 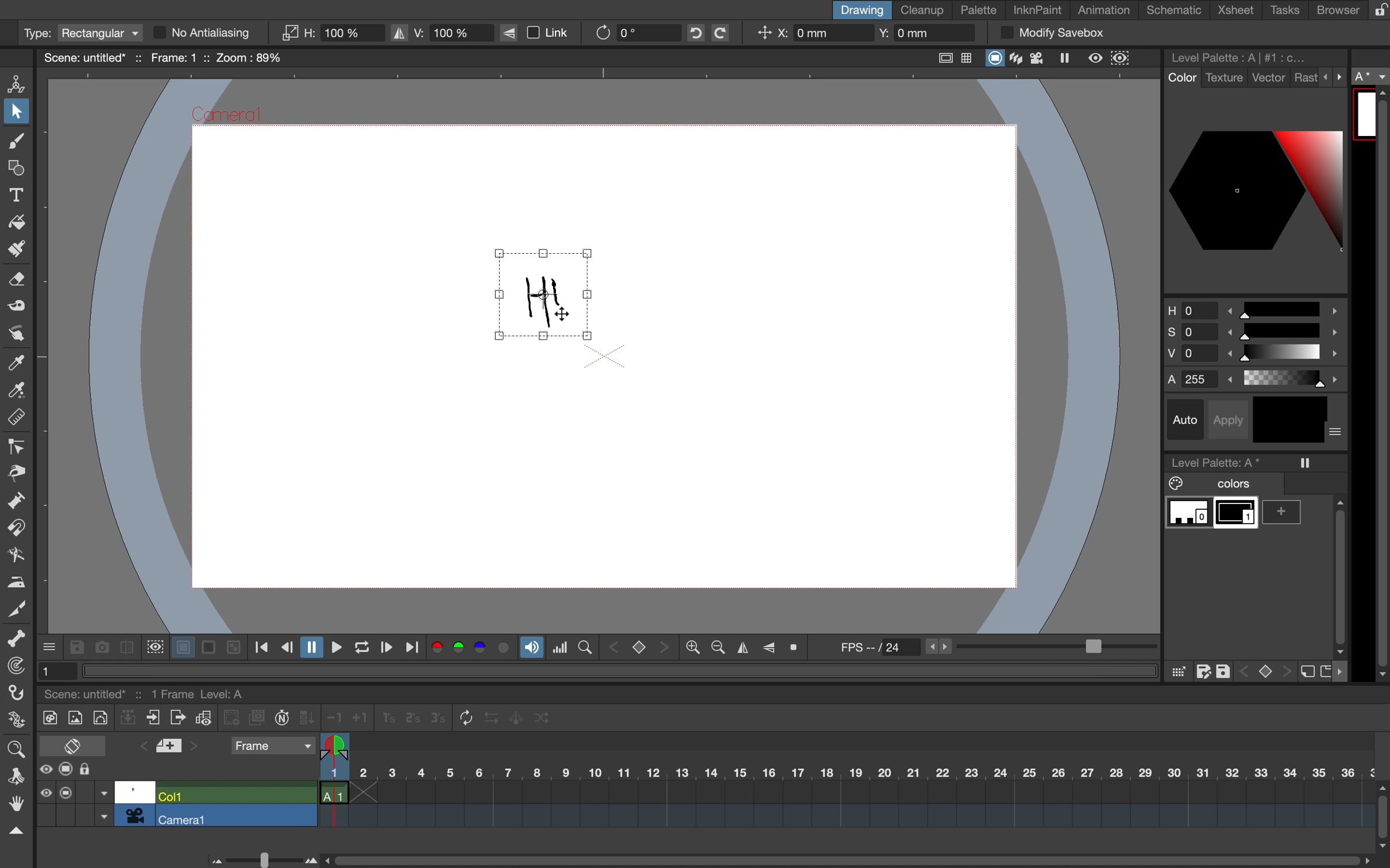 I want to click on toggle x sheet timeline, so click(x=72, y=745).